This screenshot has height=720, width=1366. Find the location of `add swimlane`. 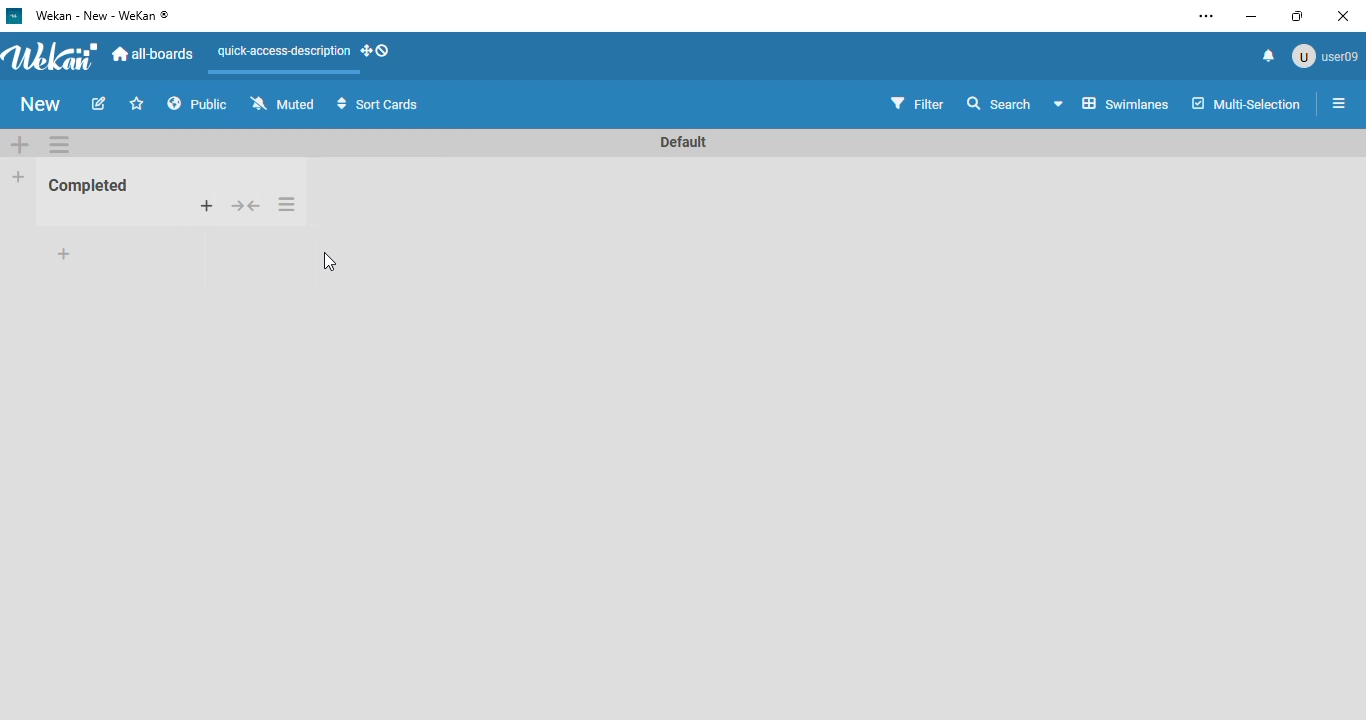

add swimlane is located at coordinates (20, 143).